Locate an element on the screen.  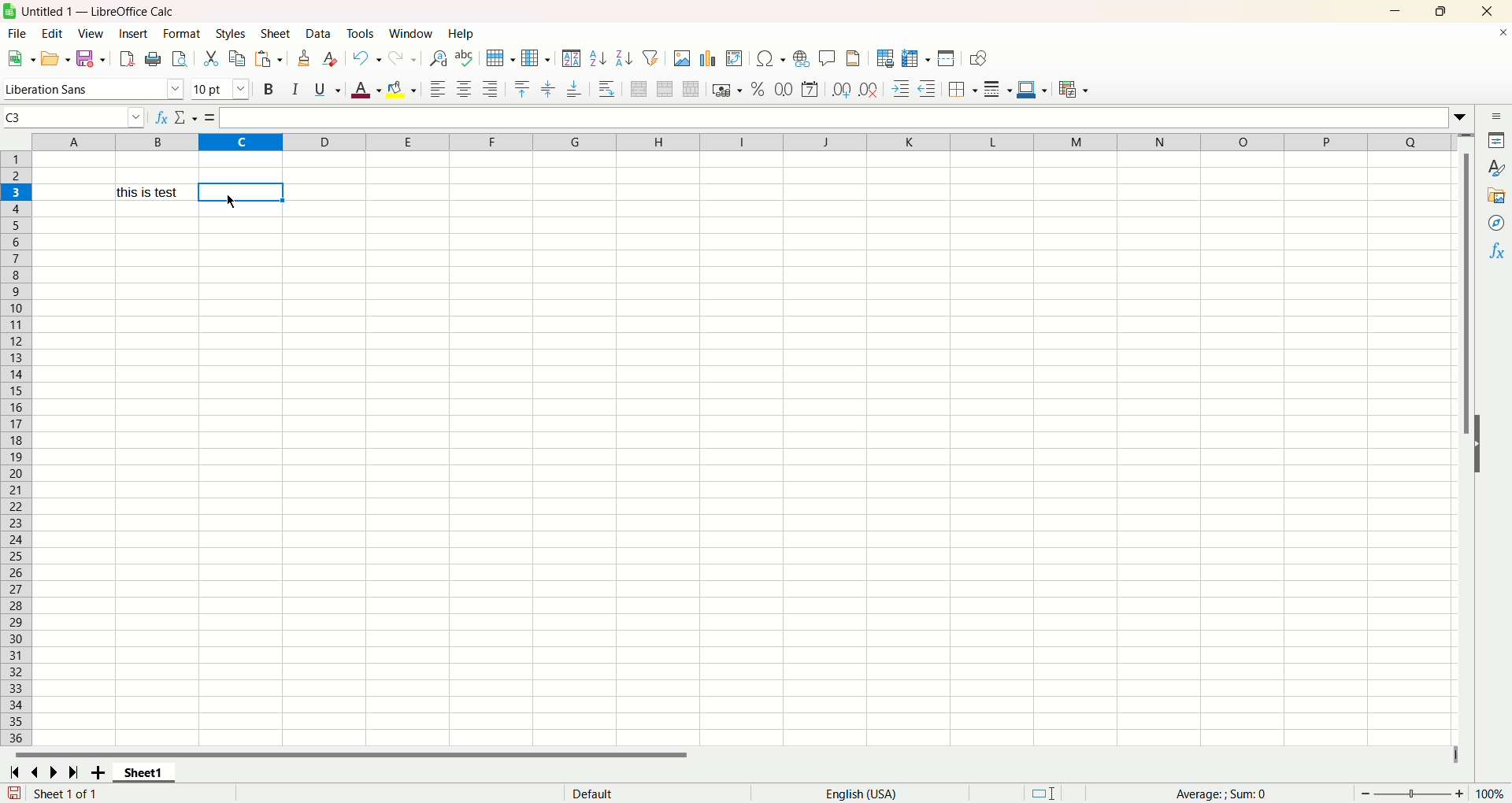
sort is located at coordinates (571, 58).